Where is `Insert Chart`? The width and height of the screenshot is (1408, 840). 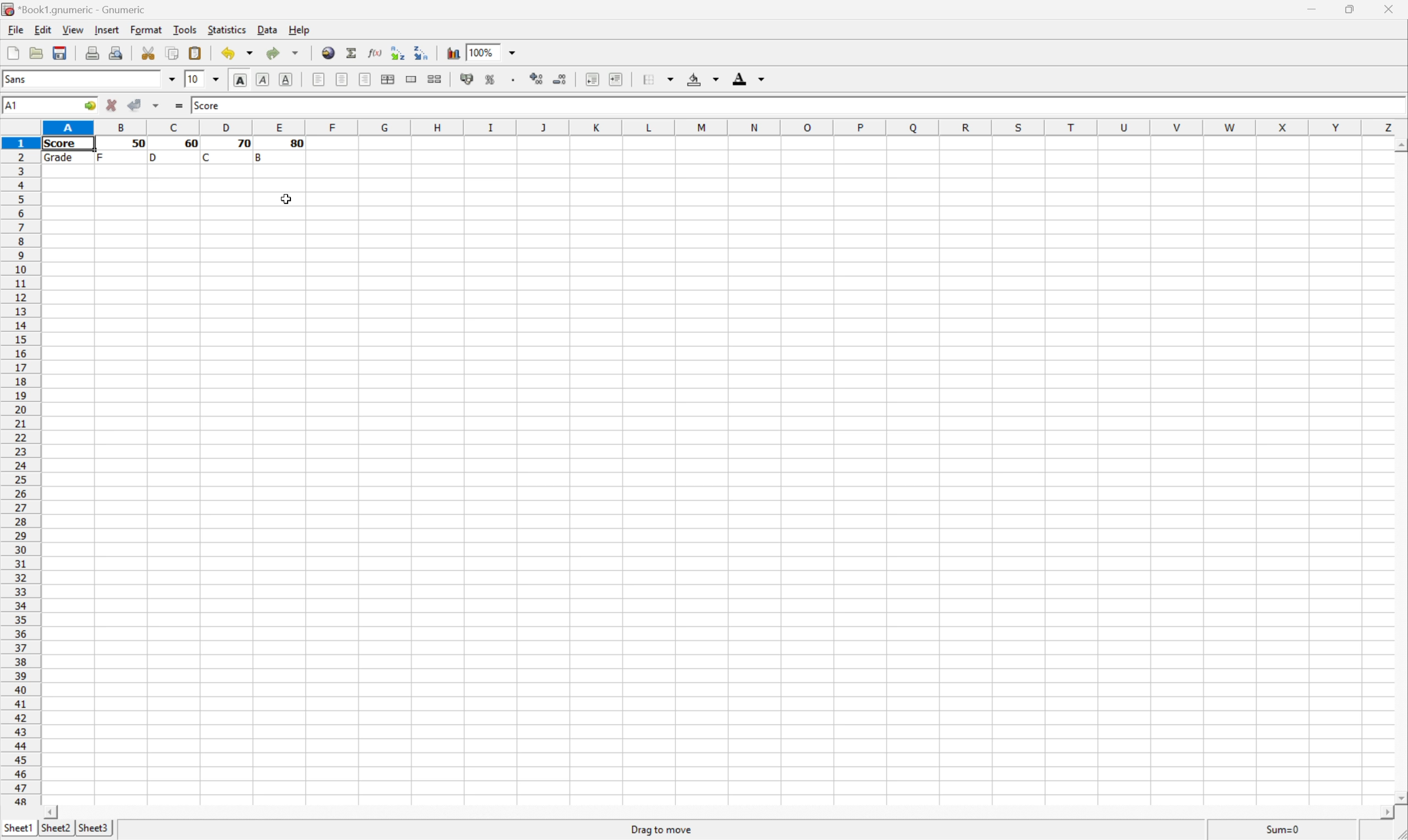 Insert Chart is located at coordinates (452, 51).